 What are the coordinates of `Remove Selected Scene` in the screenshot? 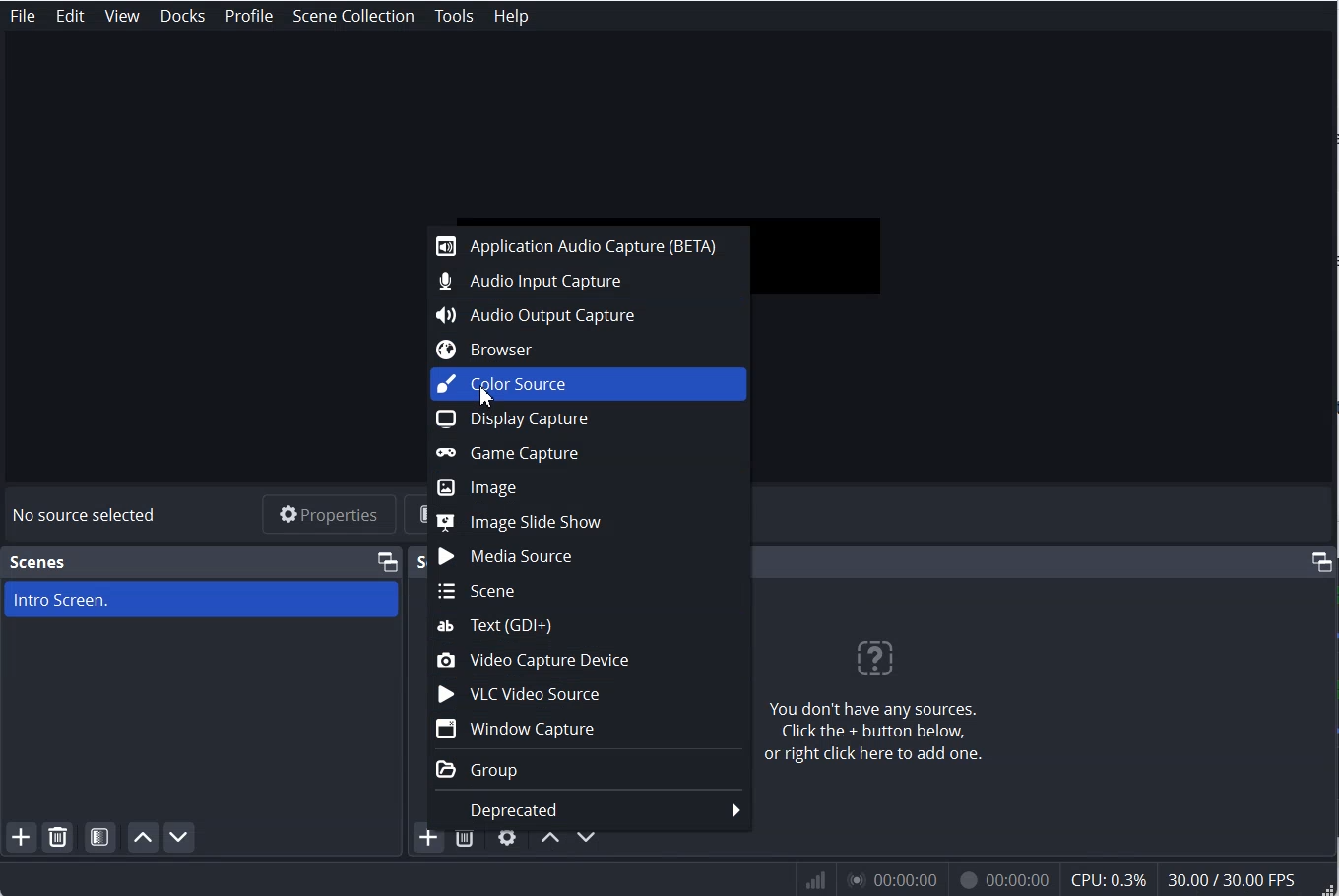 It's located at (60, 839).